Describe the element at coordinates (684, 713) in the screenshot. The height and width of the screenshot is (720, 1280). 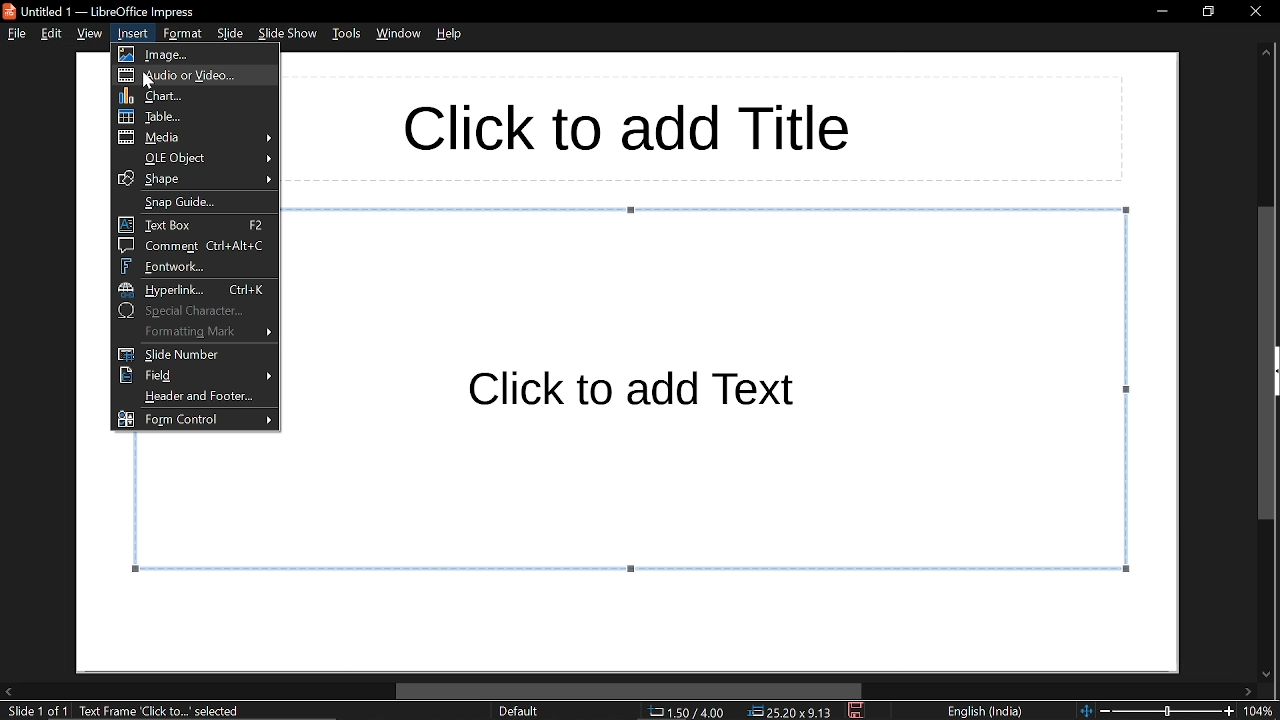
I see `co-ordinate` at that location.